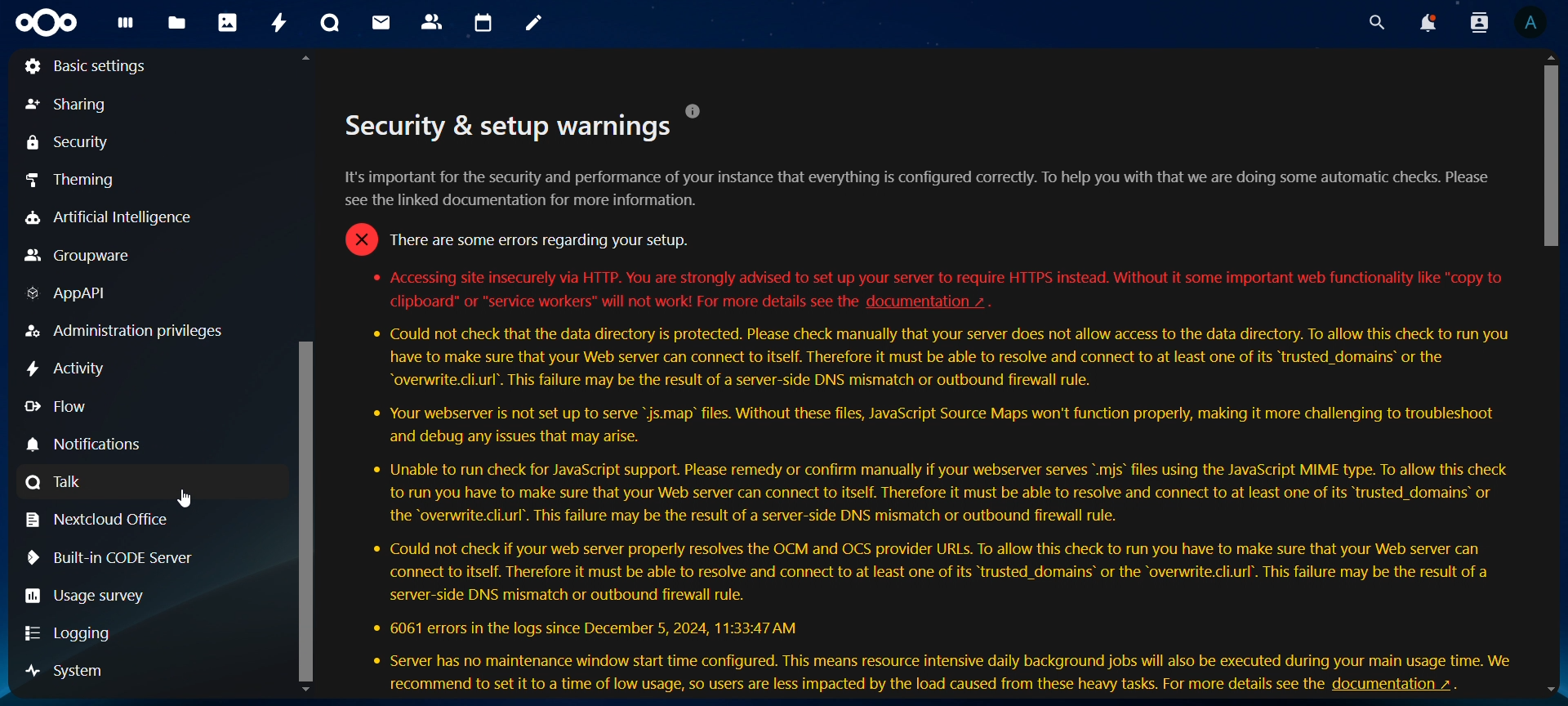 The image size is (1568, 706). Describe the element at coordinates (77, 257) in the screenshot. I see `groupware` at that location.